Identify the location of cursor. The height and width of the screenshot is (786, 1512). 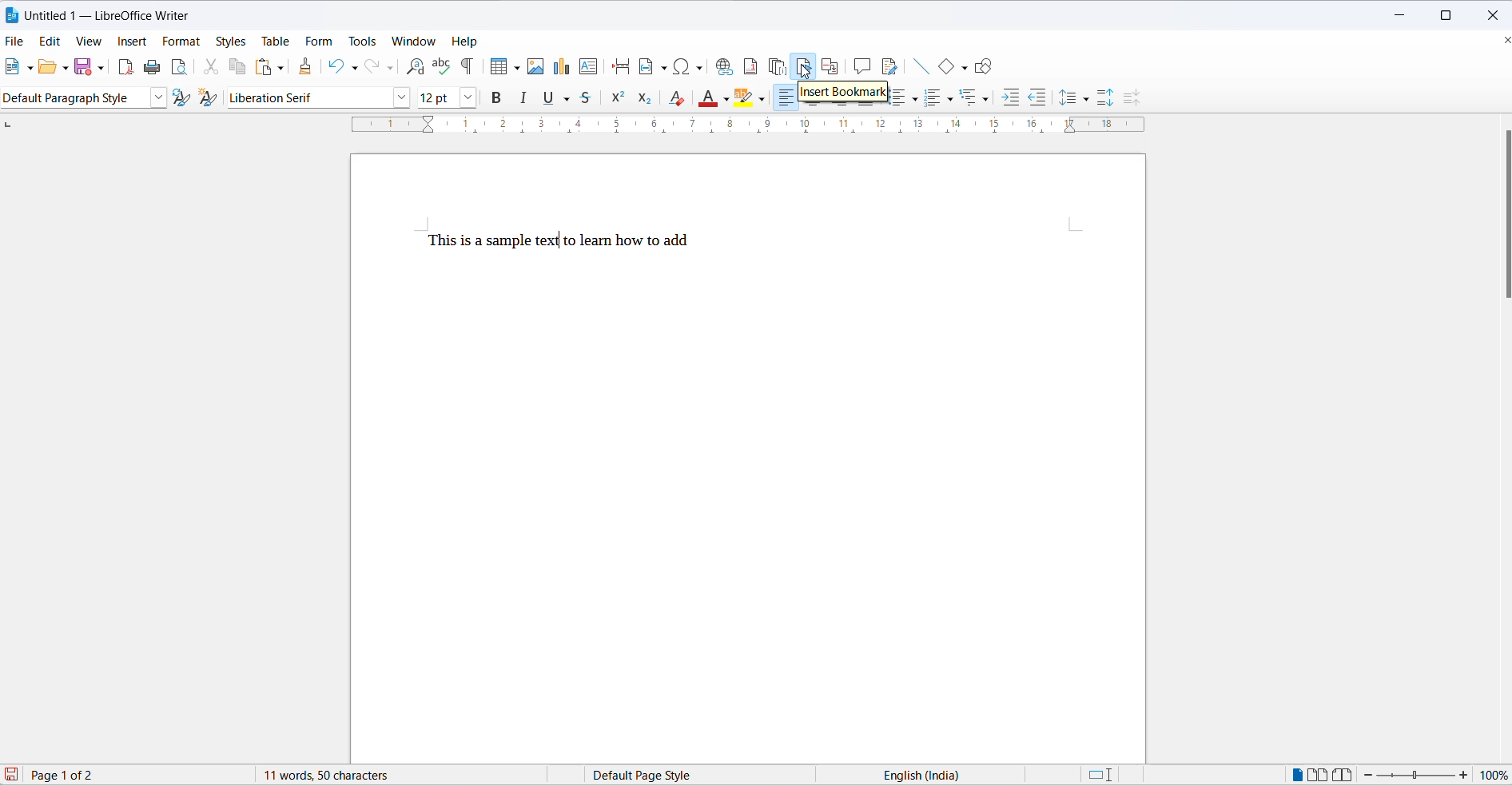
(559, 241).